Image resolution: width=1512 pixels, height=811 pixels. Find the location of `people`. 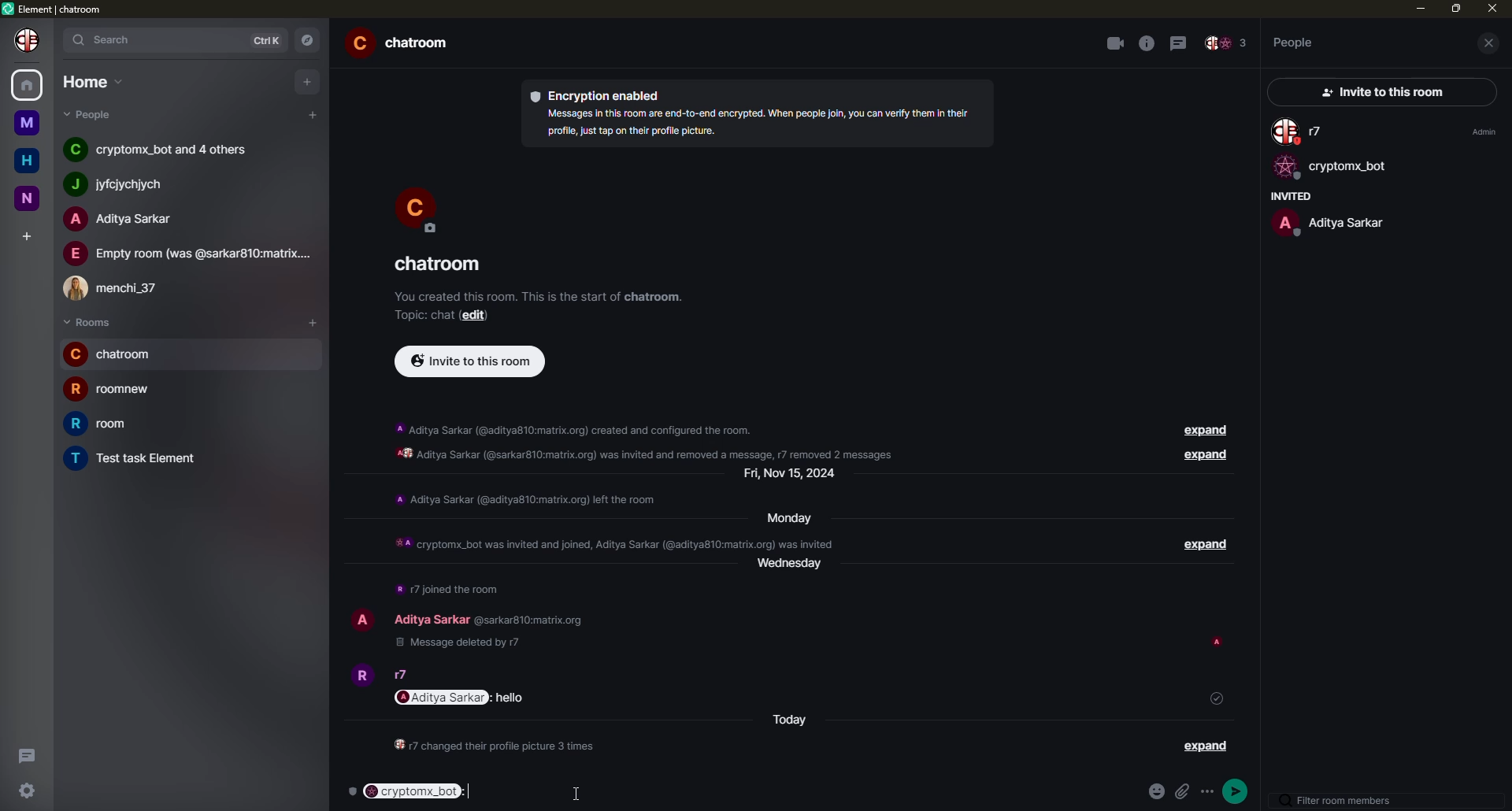

people is located at coordinates (1226, 44).